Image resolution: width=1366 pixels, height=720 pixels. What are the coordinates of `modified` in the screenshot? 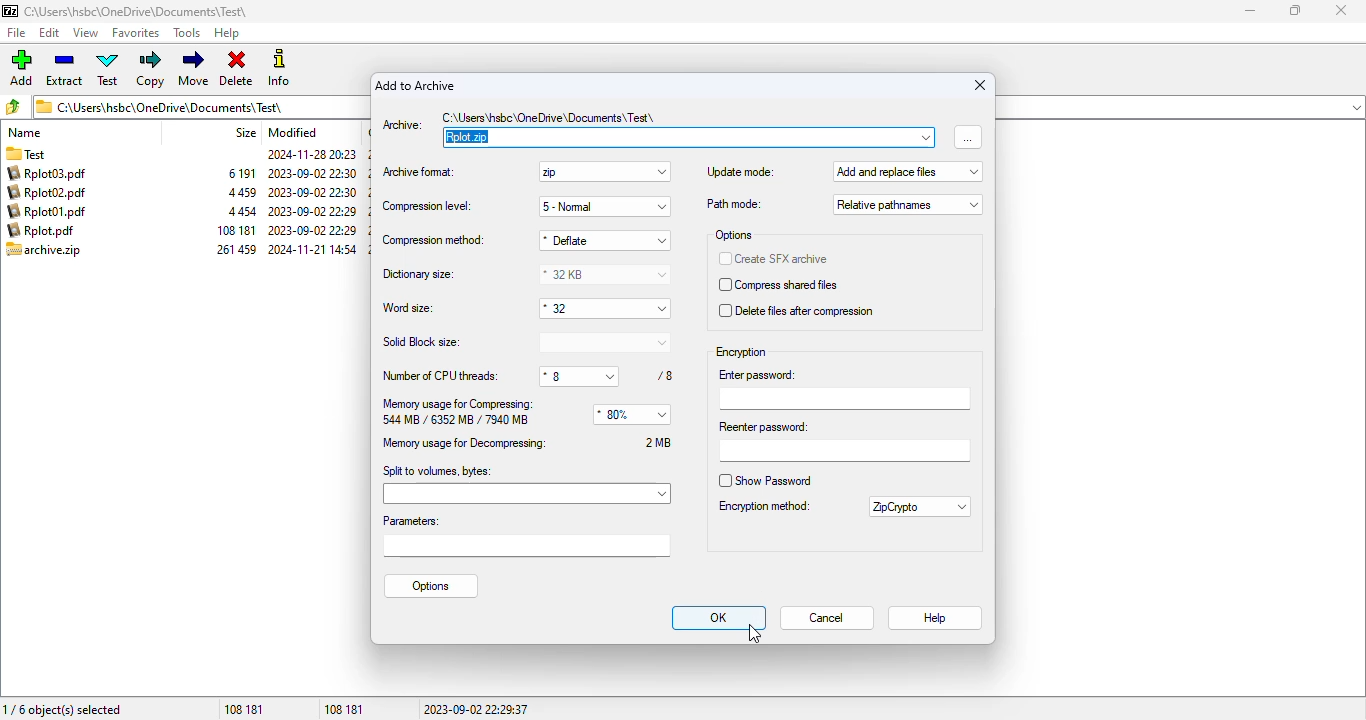 It's located at (293, 132).